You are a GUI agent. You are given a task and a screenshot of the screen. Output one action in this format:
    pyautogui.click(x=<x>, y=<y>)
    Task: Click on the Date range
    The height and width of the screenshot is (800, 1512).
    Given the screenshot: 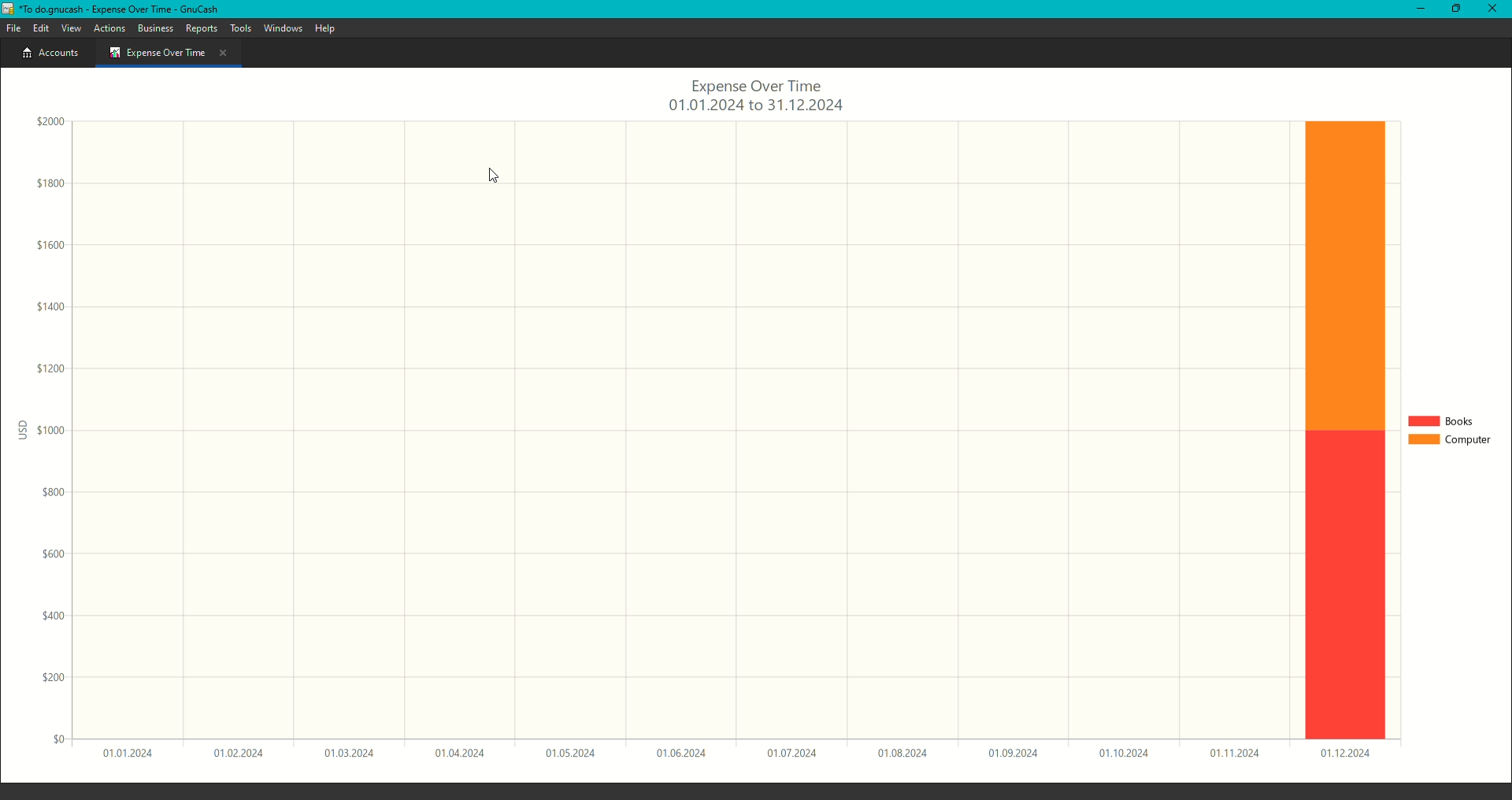 What is the action you would take?
    pyautogui.click(x=735, y=757)
    